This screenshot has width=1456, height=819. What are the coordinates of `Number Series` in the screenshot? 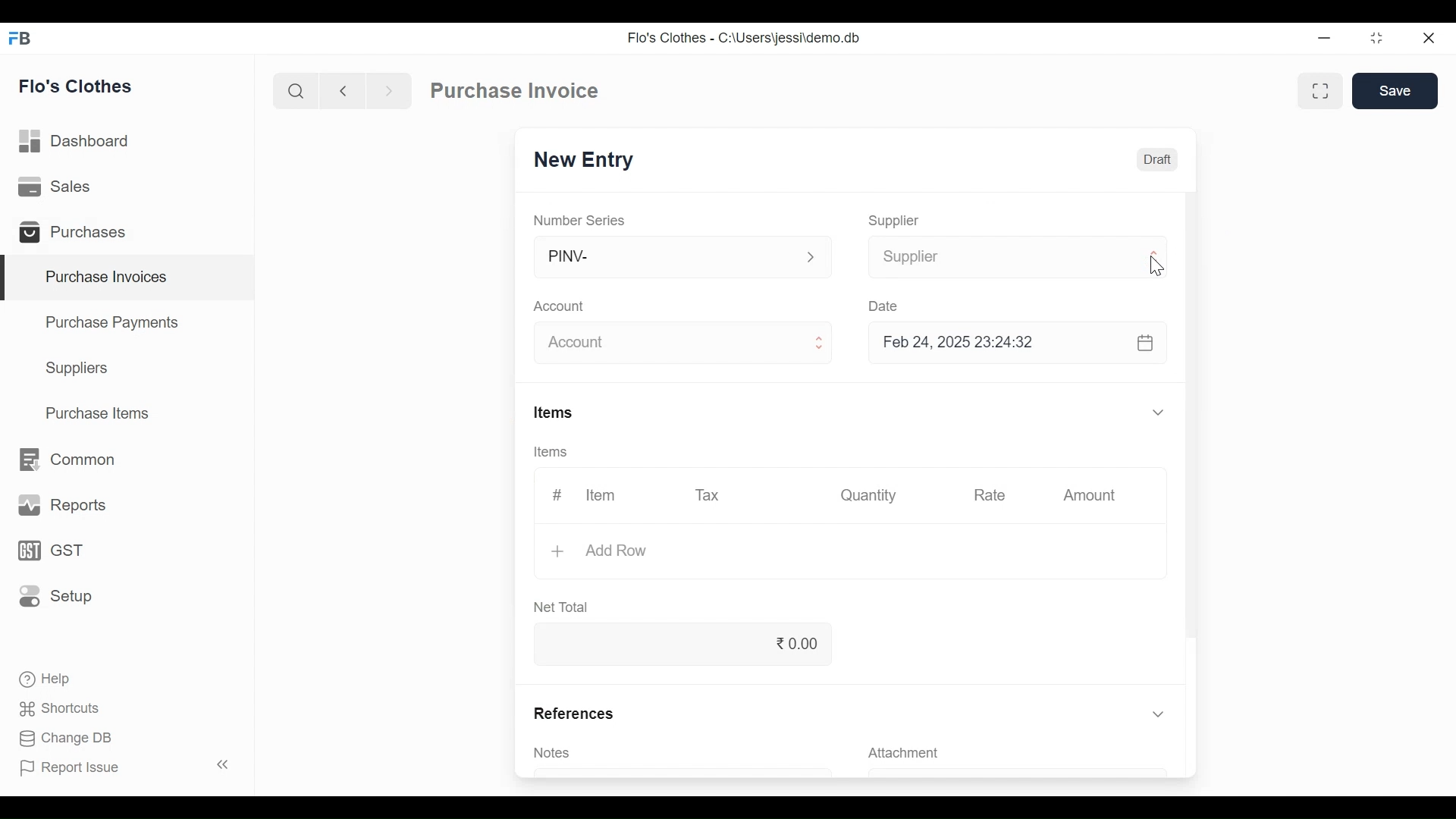 It's located at (580, 219).